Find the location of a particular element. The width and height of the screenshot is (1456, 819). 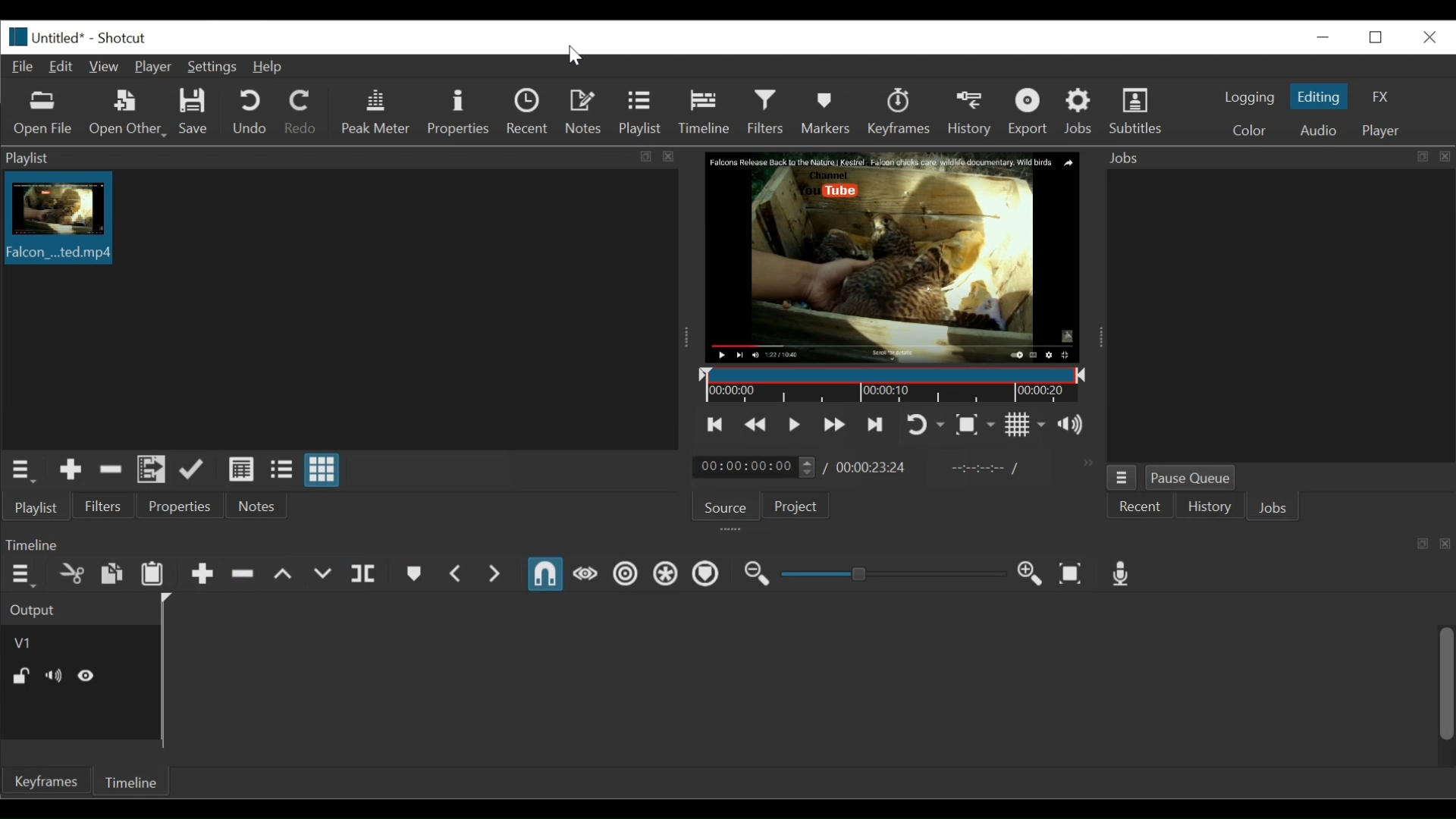

Playlist menu is located at coordinates (334, 158).